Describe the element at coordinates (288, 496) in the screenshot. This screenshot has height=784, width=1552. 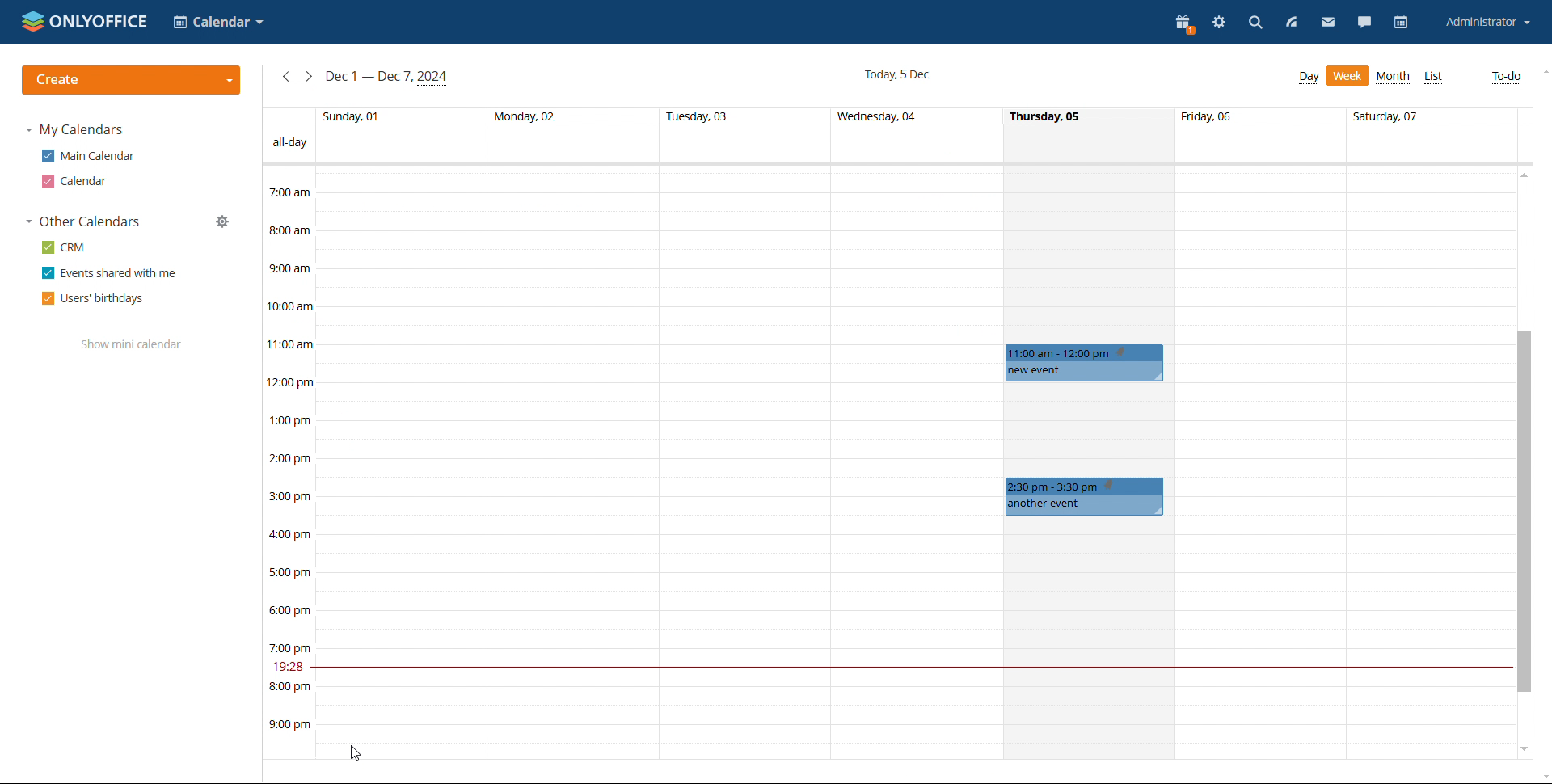
I see `3:00 pm` at that location.